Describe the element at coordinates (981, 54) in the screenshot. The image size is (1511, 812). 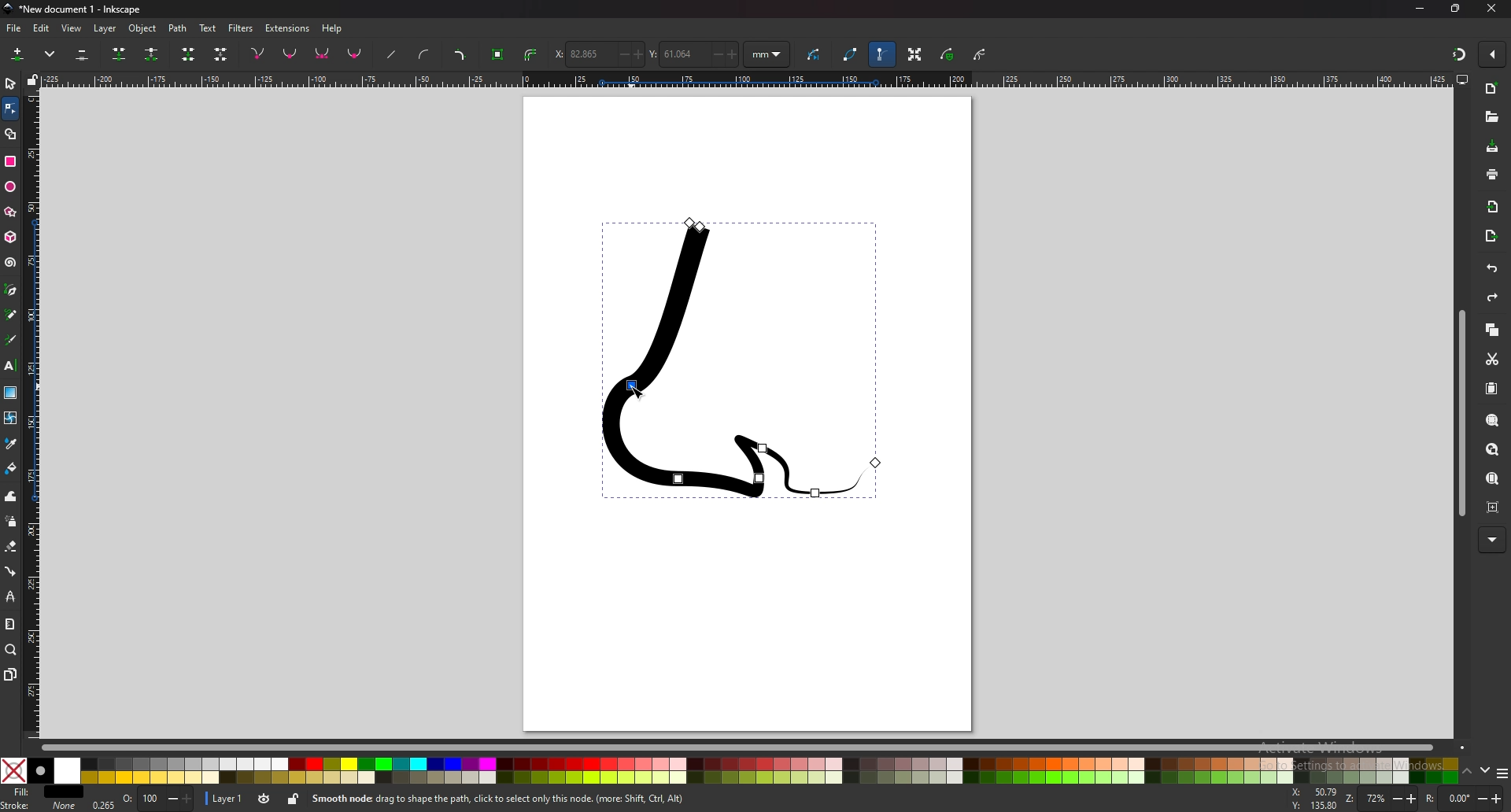
I see `show clipping path` at that location.